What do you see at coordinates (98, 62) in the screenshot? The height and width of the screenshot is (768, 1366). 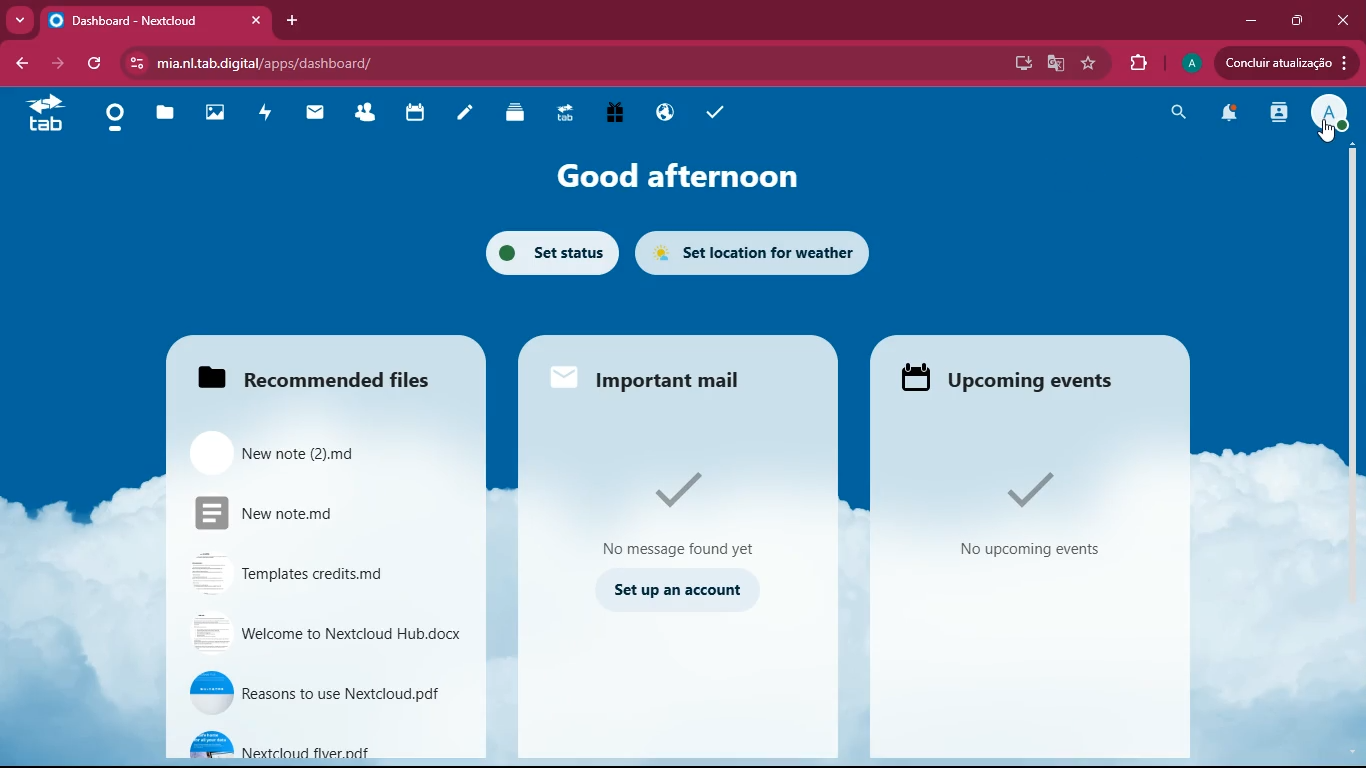 I see `refresh` at bounding box center [98, 62].